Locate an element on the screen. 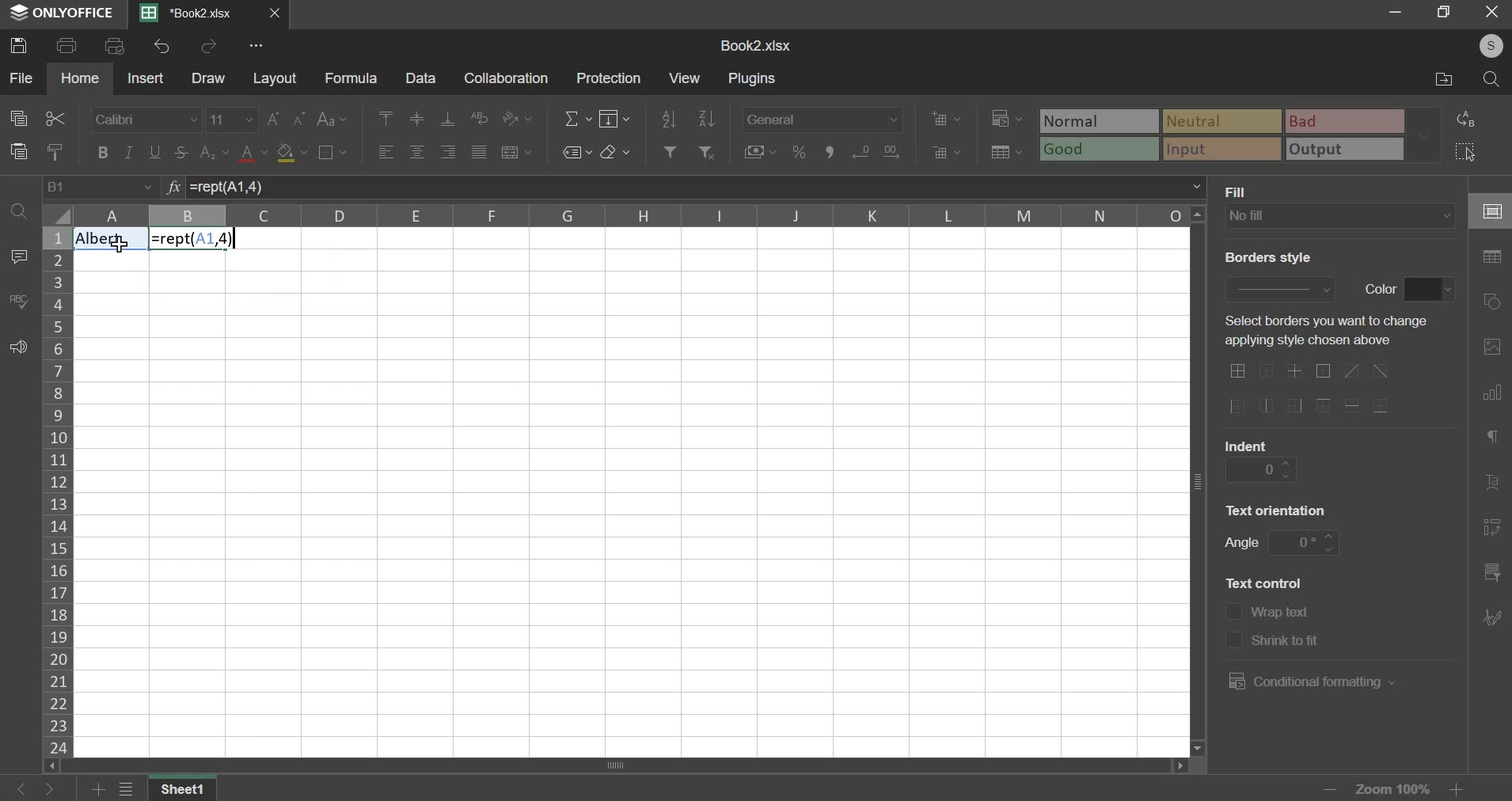 The width and height of the screenshot is (1512, 801). accounting style is located at coordinates (759, 150).